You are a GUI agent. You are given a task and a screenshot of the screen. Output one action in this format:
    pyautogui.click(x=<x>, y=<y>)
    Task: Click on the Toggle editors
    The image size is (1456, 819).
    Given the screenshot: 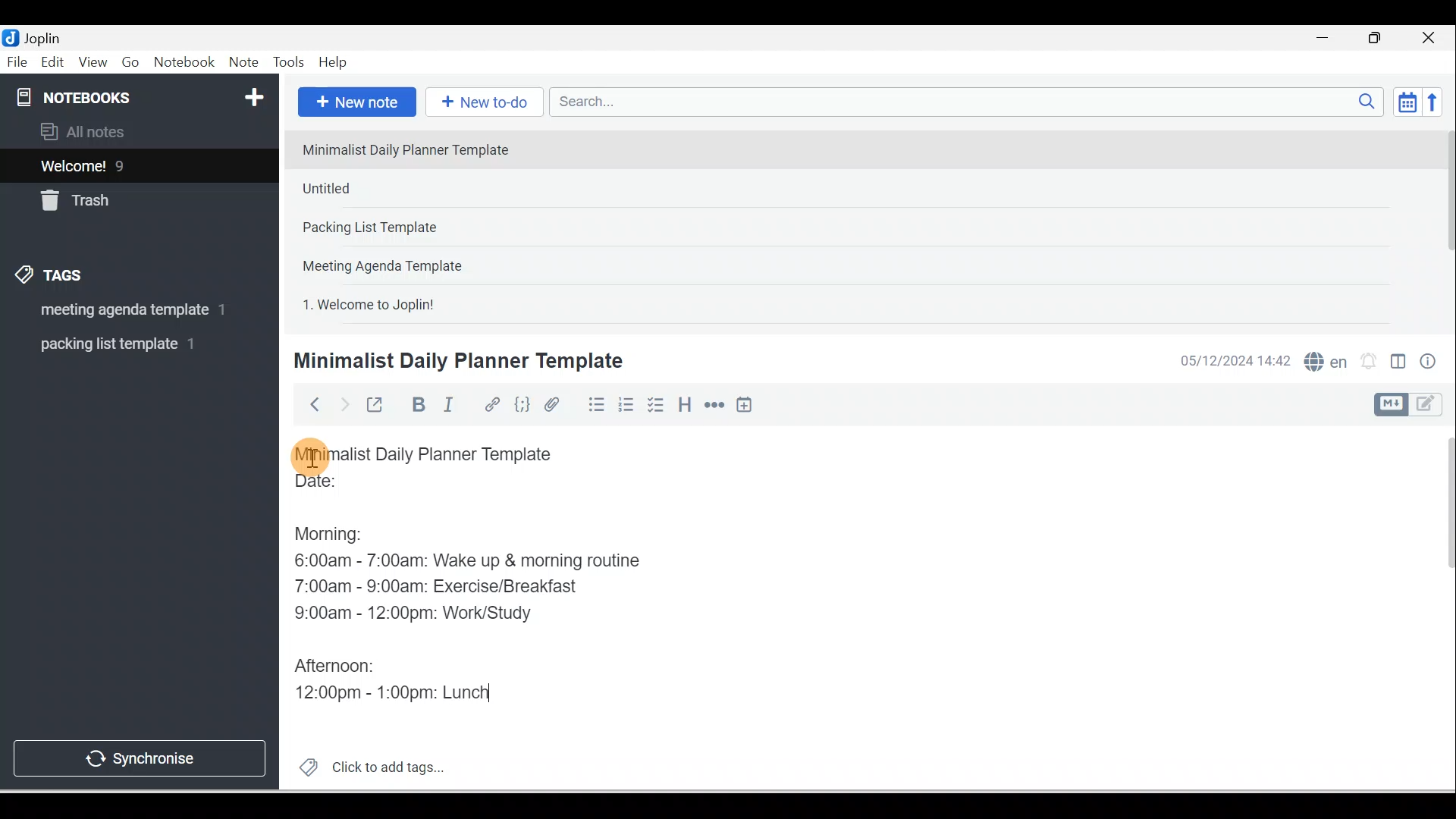 What is the action you would take?
    pyautogui.click(x=1398, y=364)
    